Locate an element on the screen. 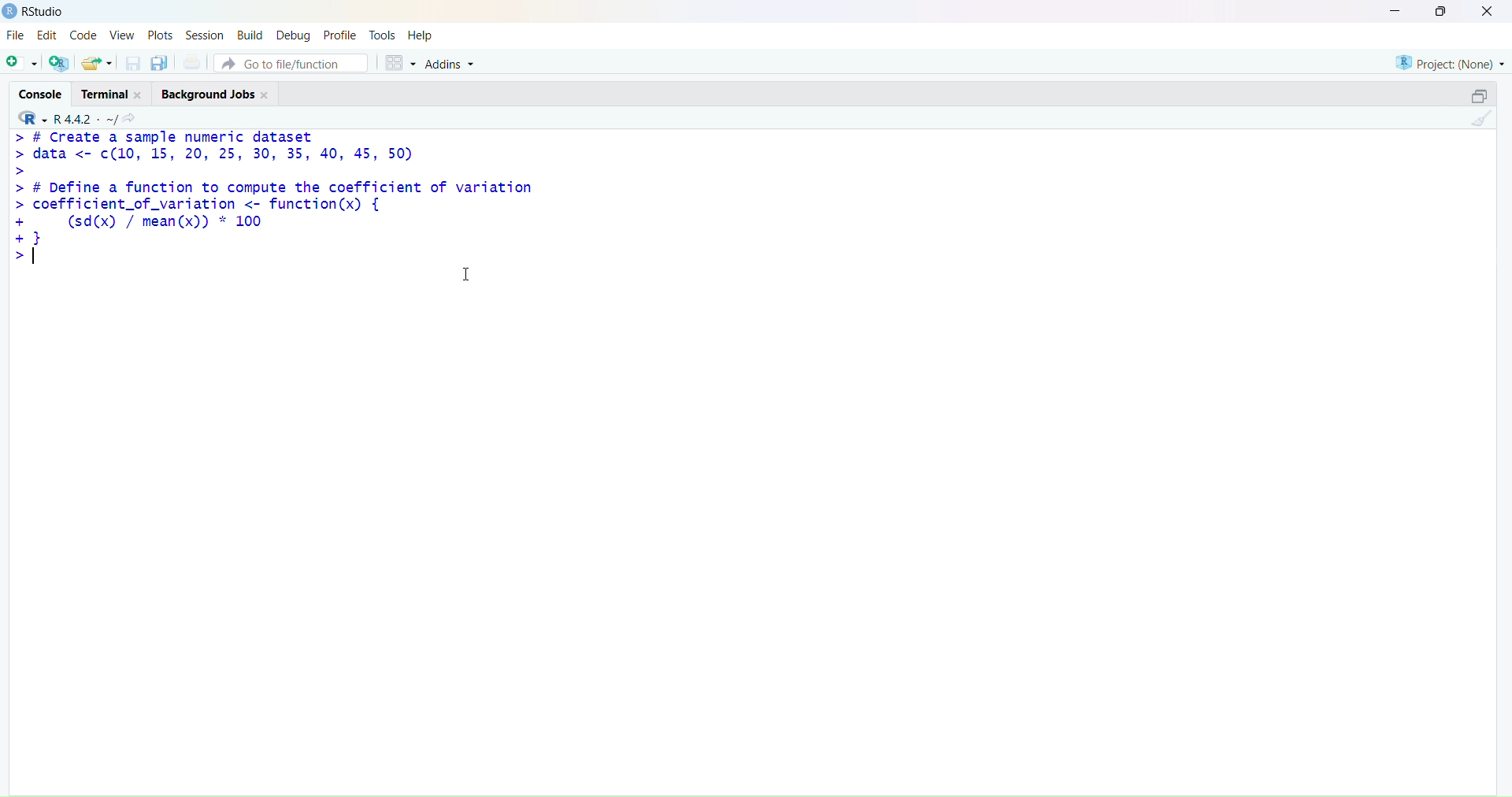  R is located at coordinates (33, 117).